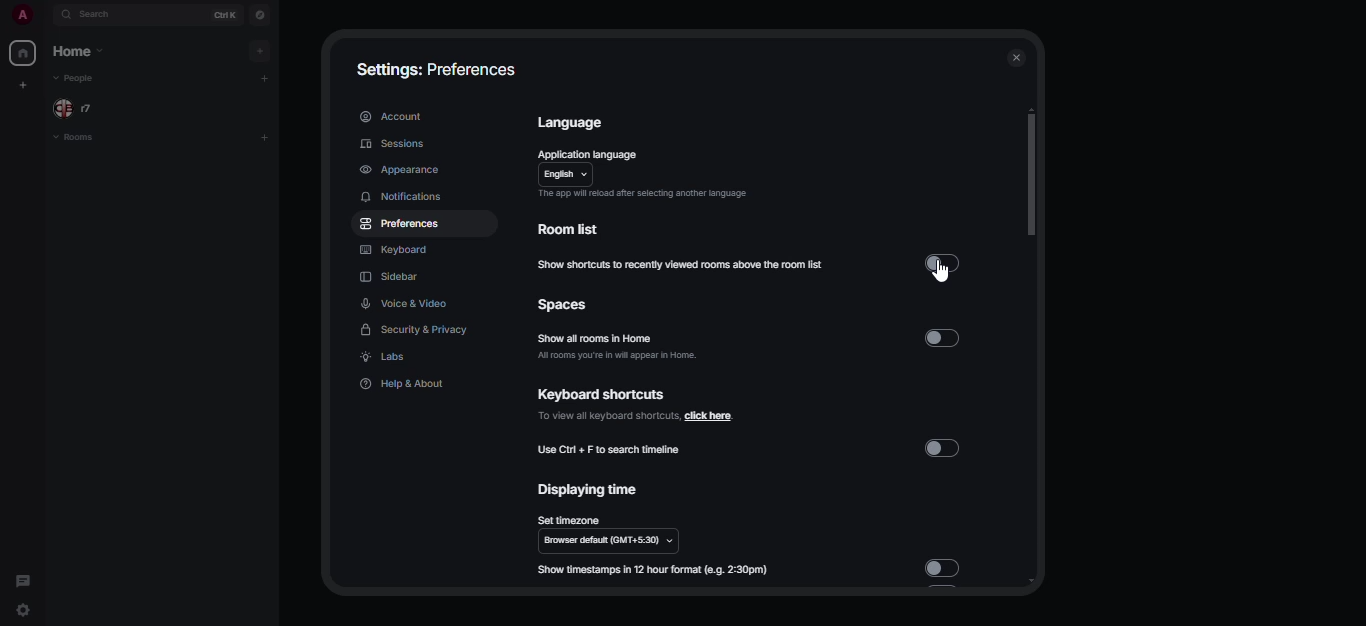  I want to click on disabled, so click(944, 447).